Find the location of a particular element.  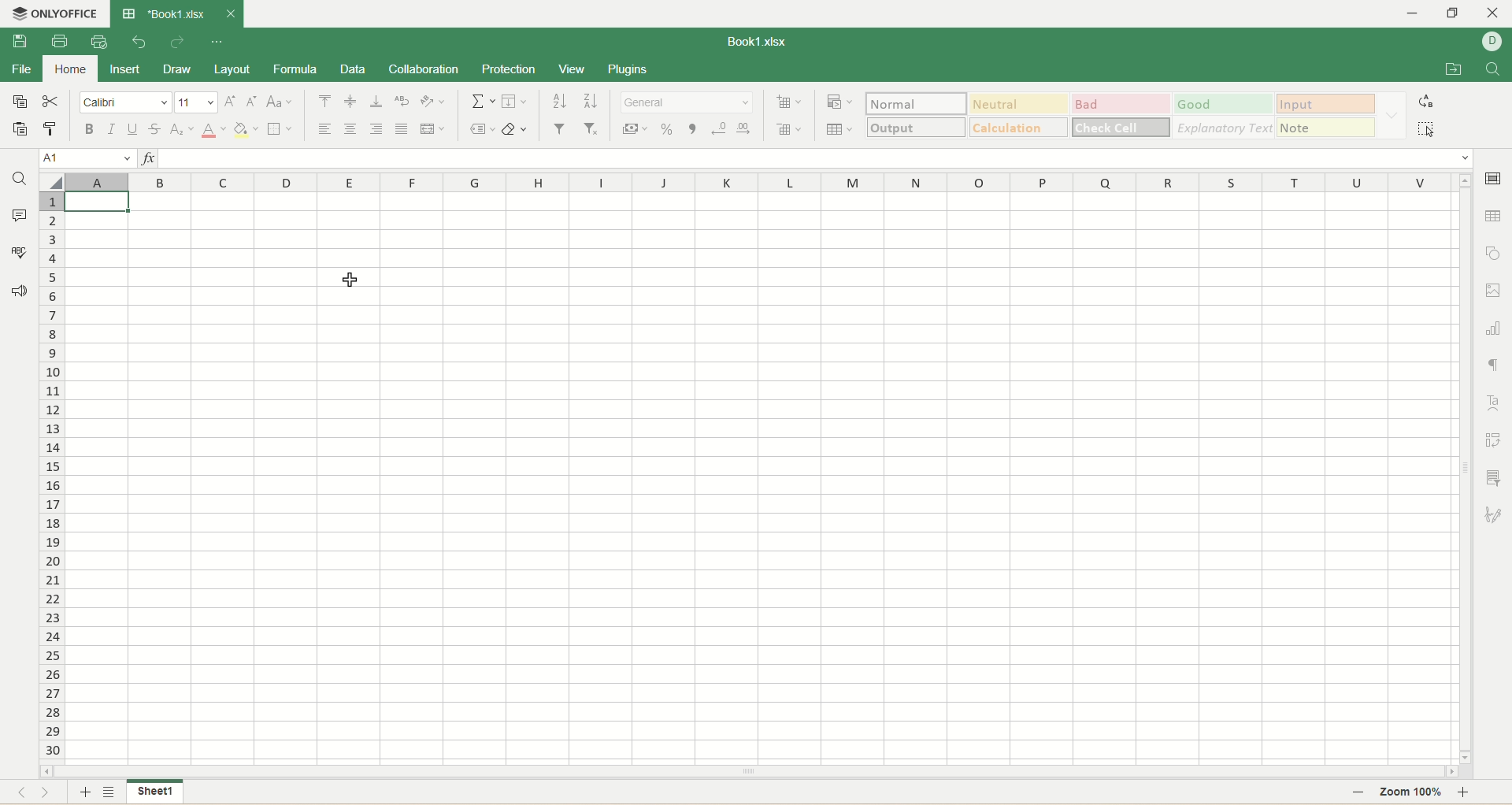

font name is located at coordinates (128, 103).